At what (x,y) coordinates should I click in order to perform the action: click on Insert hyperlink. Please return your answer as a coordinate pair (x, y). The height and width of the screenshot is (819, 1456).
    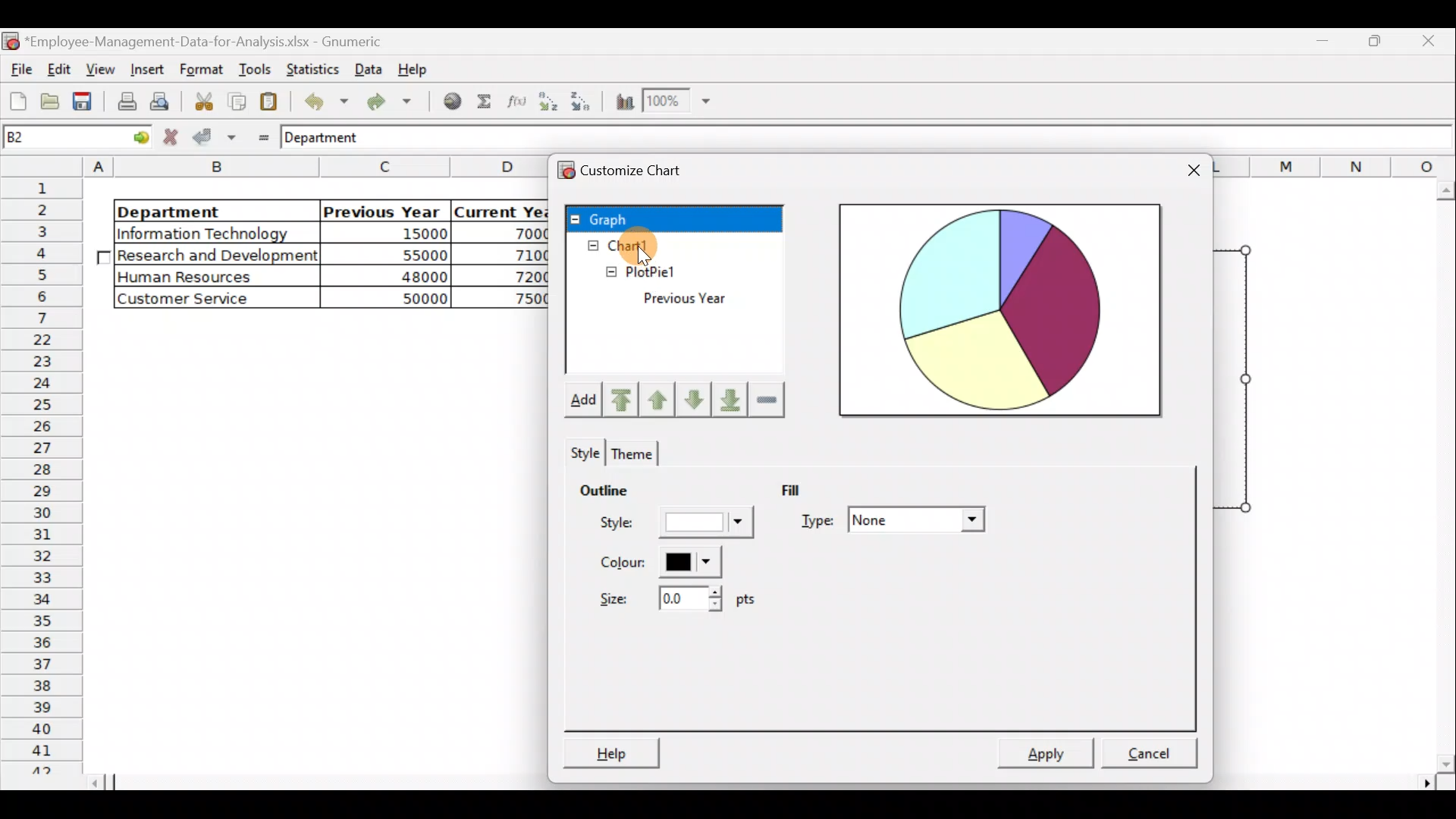
    Looking at the image, I should click on (453, 102).